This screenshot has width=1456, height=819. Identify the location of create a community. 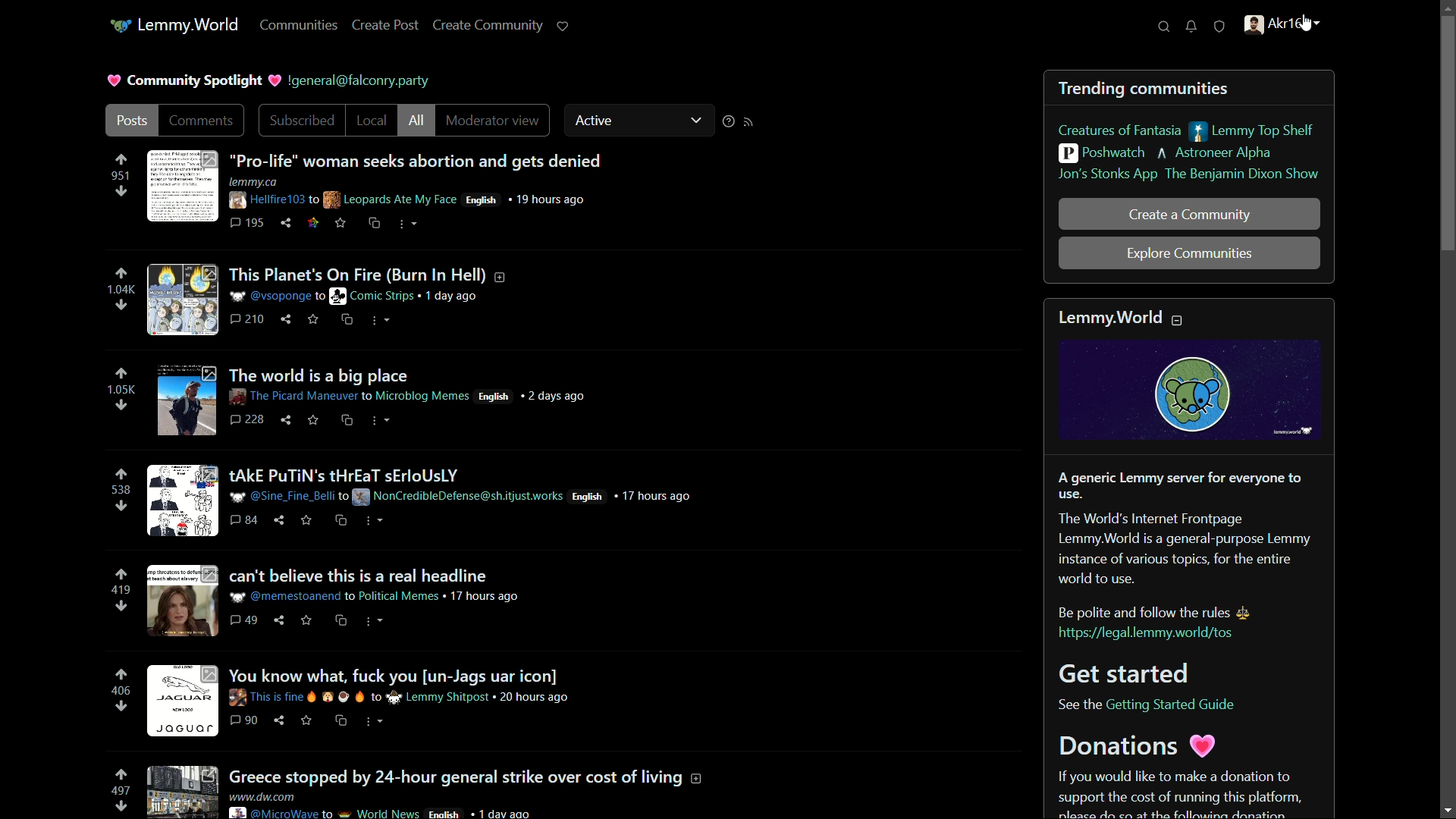
(1191, 215).